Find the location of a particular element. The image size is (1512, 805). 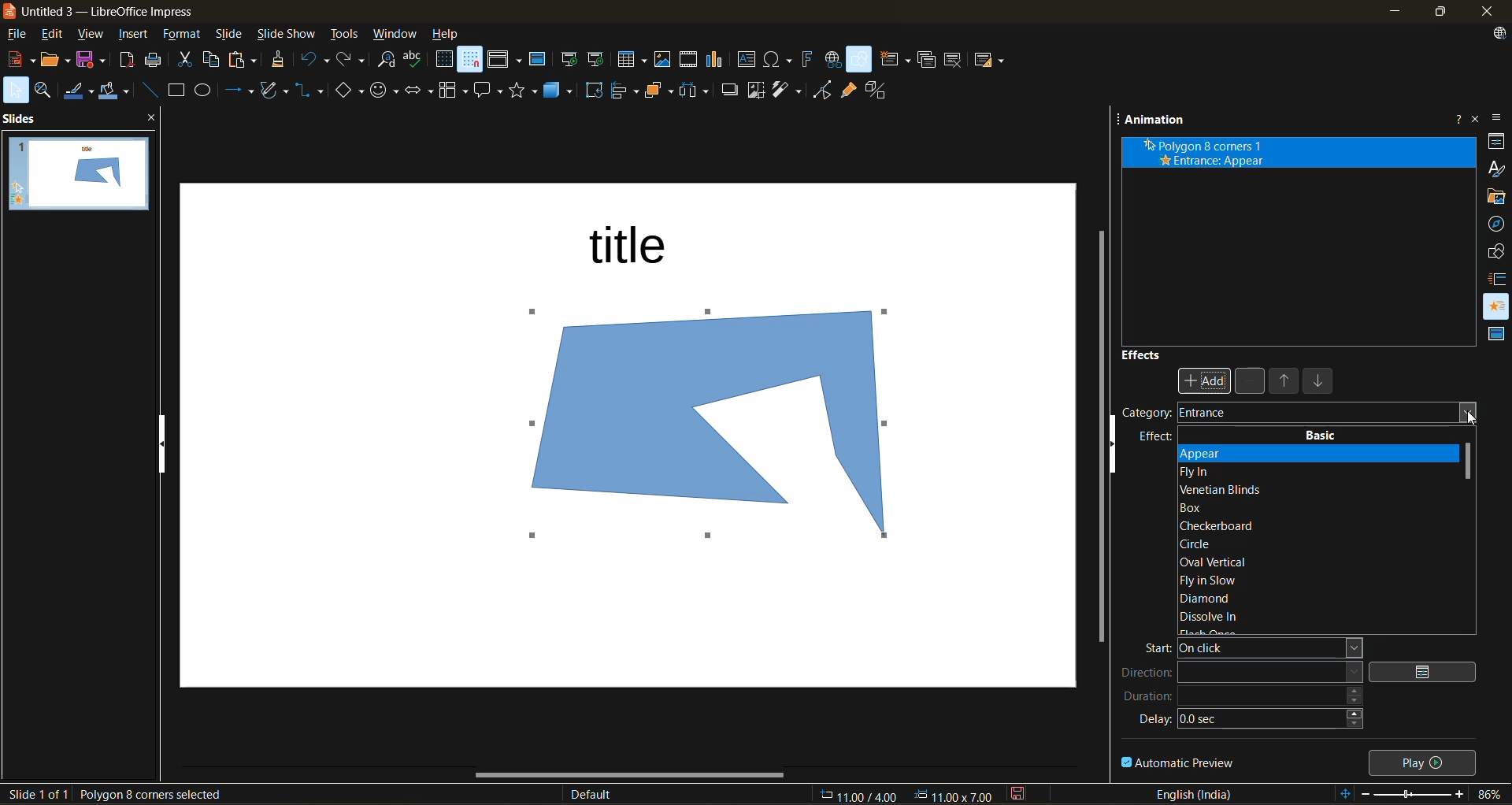

styles is located at coordinates (1495, 169).